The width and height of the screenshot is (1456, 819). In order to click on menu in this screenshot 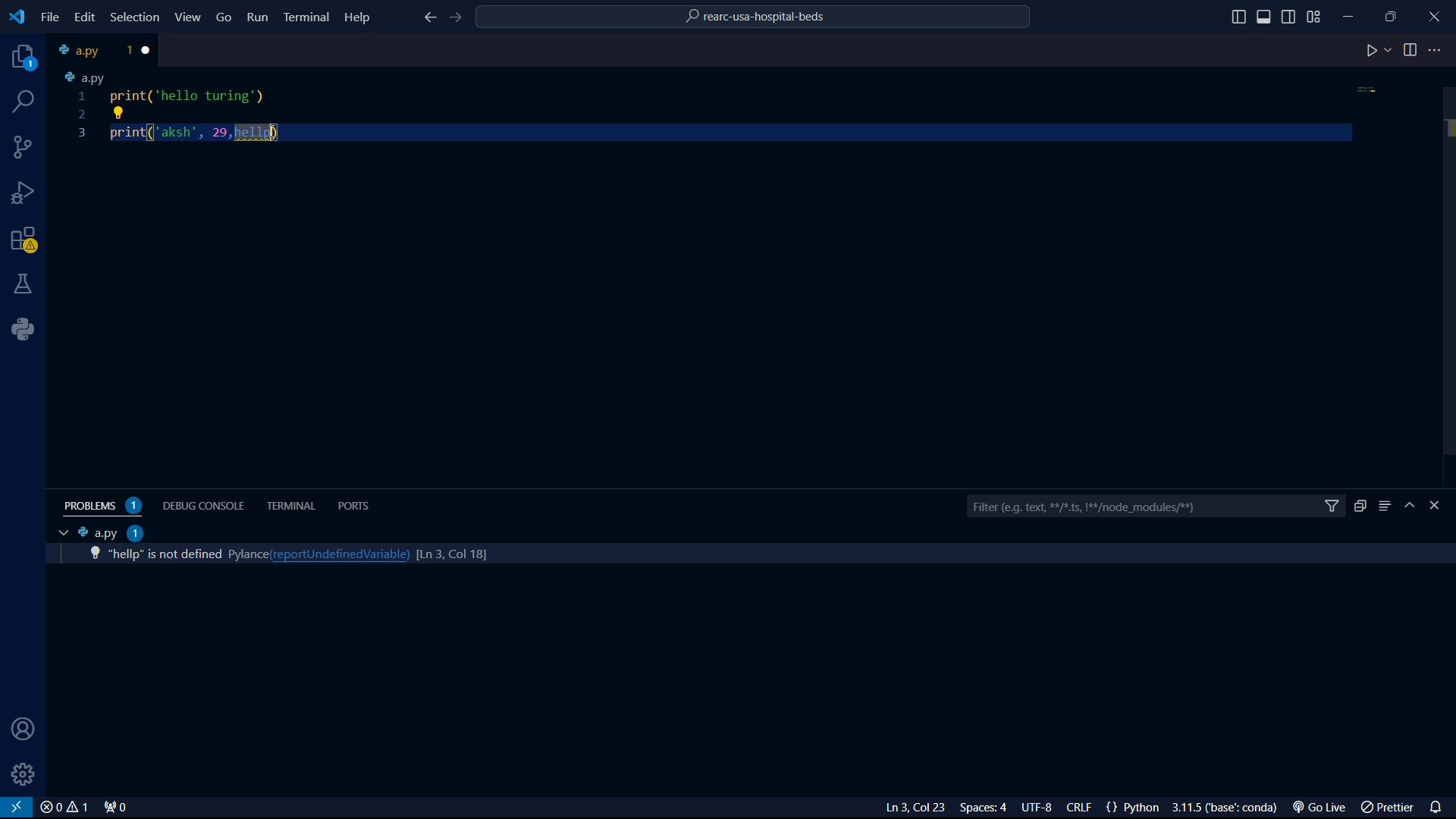, I will do `click(1385, 506)`.